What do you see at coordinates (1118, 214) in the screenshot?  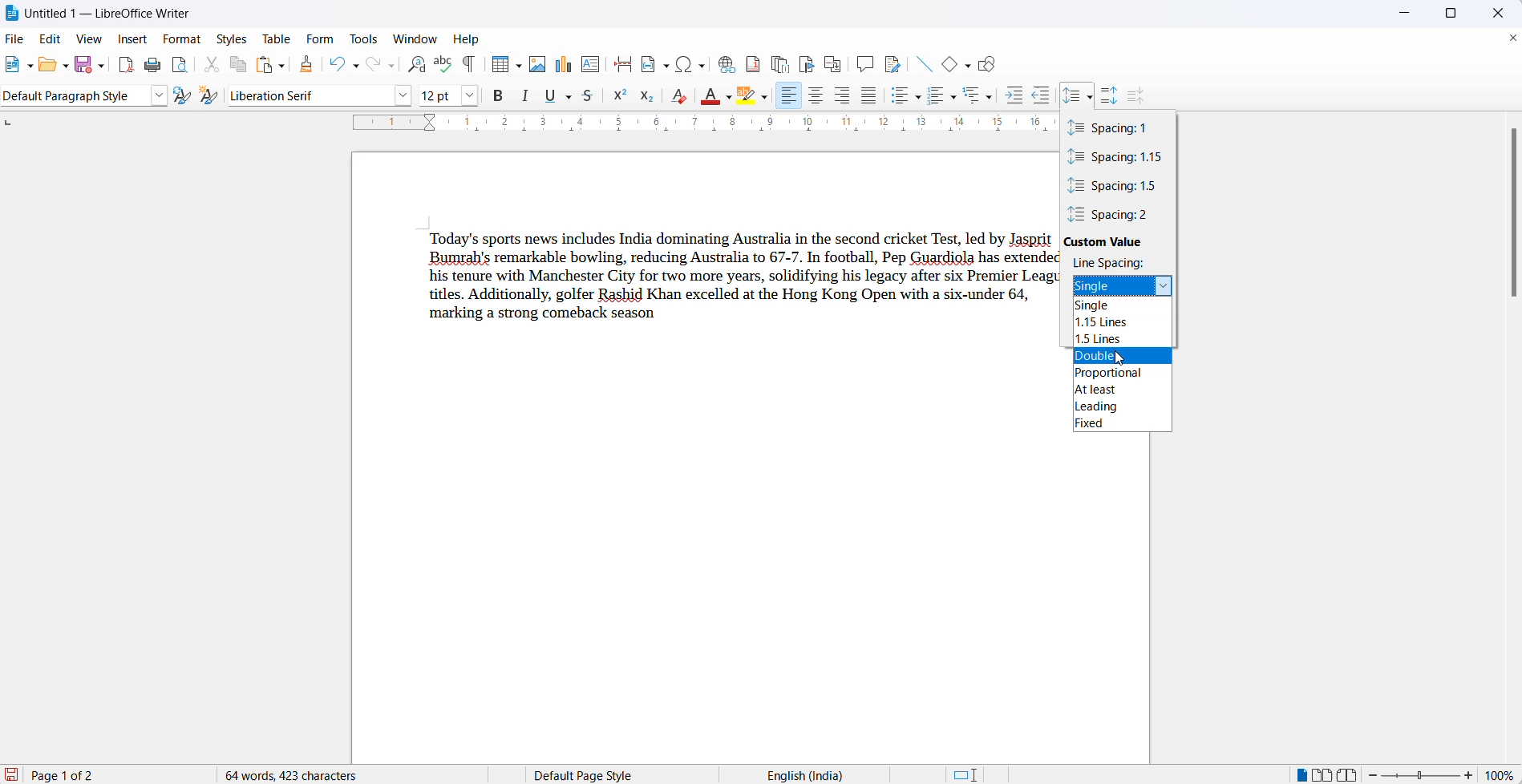 I see `spacing value 2` at bounding box center [1118, 214].